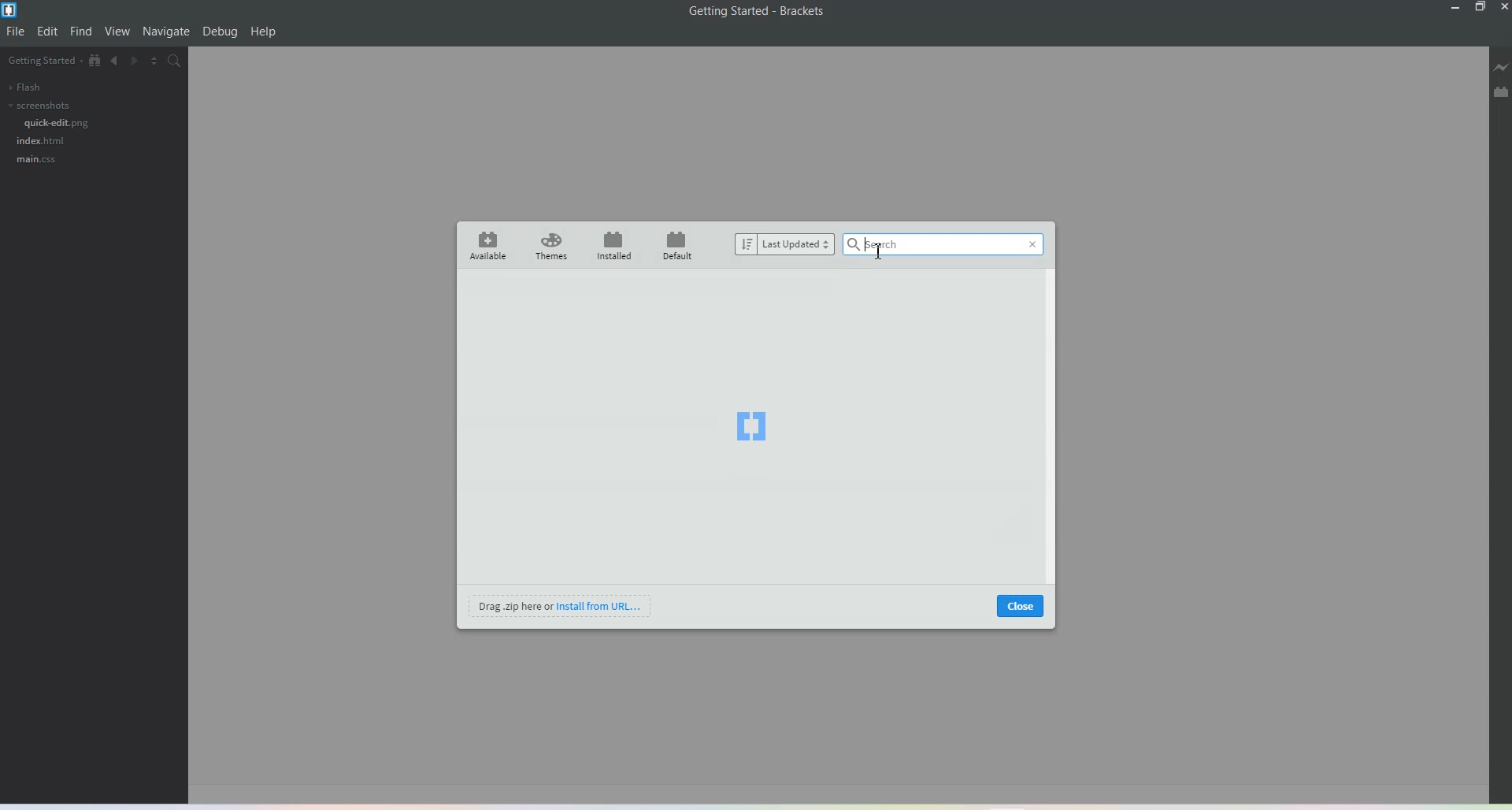  I want to click on Install from URL, so click(561, 605).